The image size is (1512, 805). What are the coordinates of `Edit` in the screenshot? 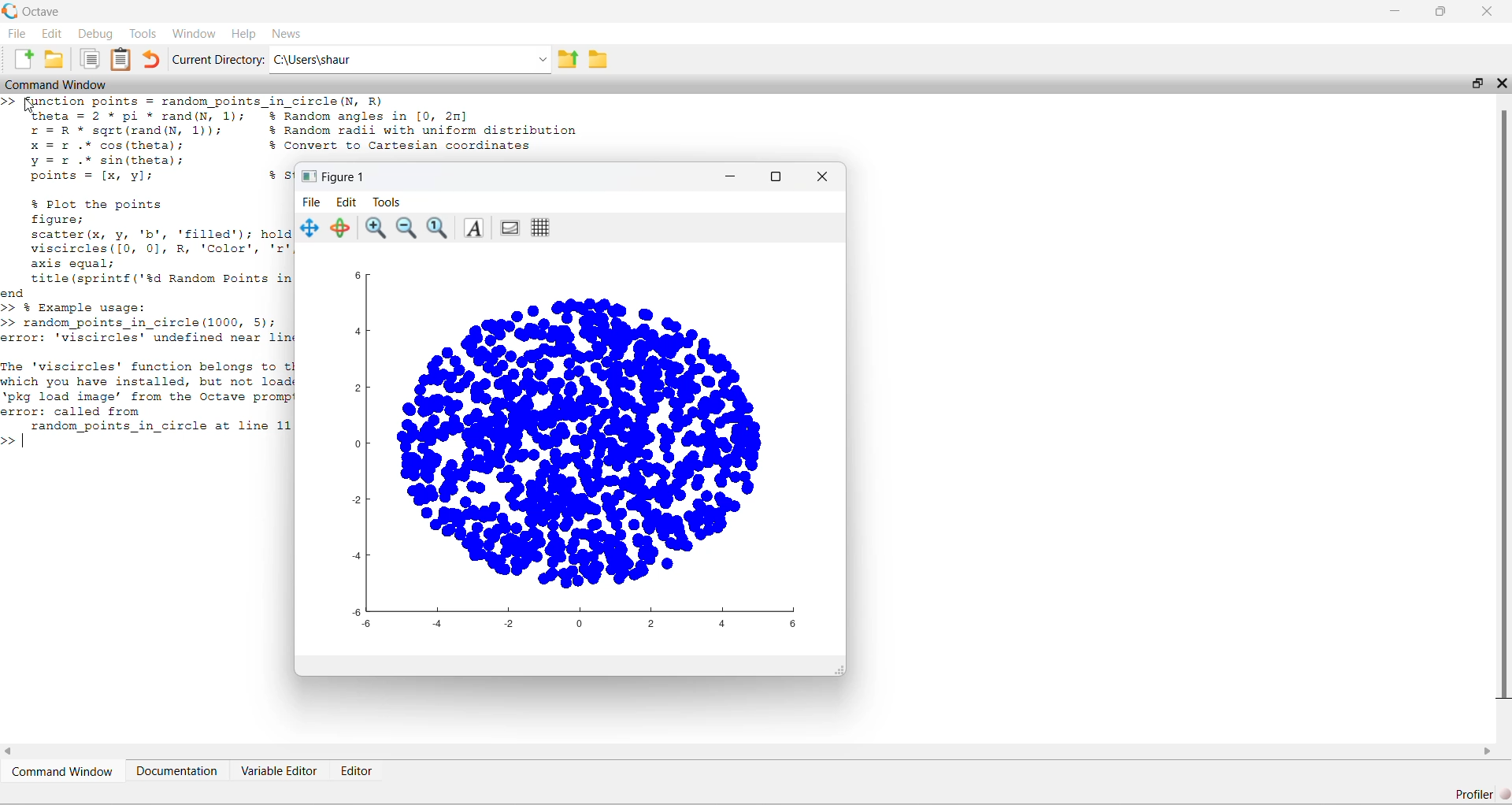 It's located at (50, 34).